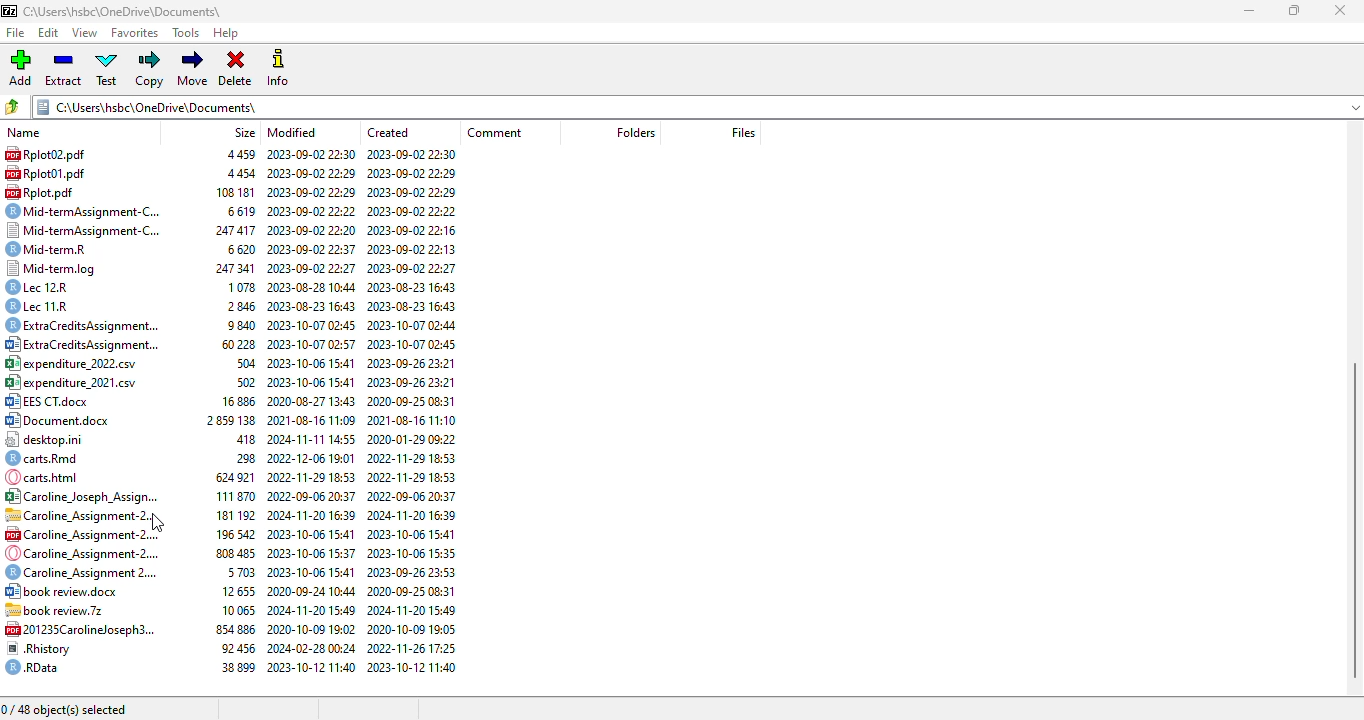 The image size is (1364, 720). What do you see at coordinates (412, 324) in the screenshot?
I see `2023-10-07 02:44` at bounding box center [412, 324].